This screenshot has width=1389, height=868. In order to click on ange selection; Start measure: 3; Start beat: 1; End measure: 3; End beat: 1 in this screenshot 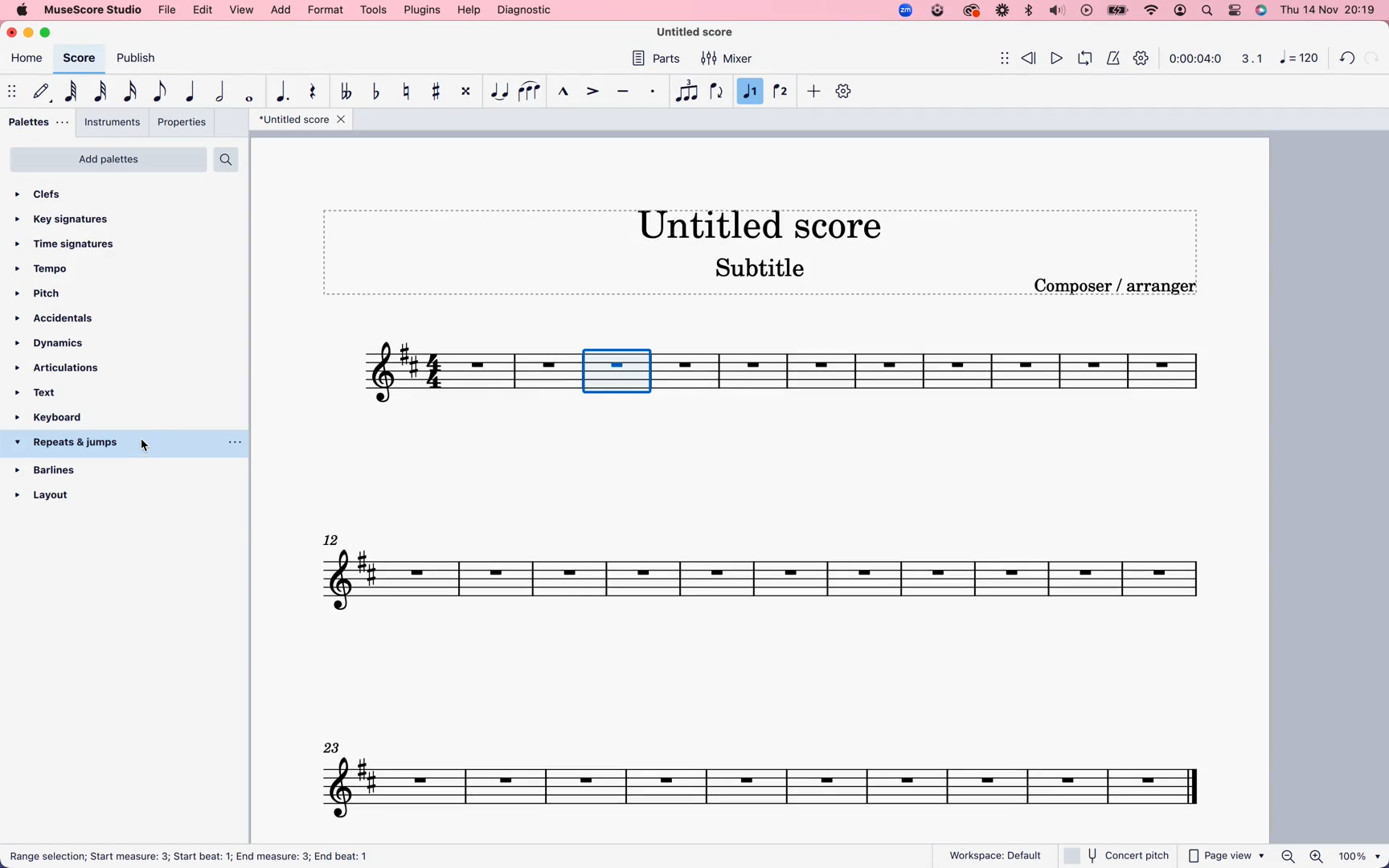, I will do `click(227, 858)`.